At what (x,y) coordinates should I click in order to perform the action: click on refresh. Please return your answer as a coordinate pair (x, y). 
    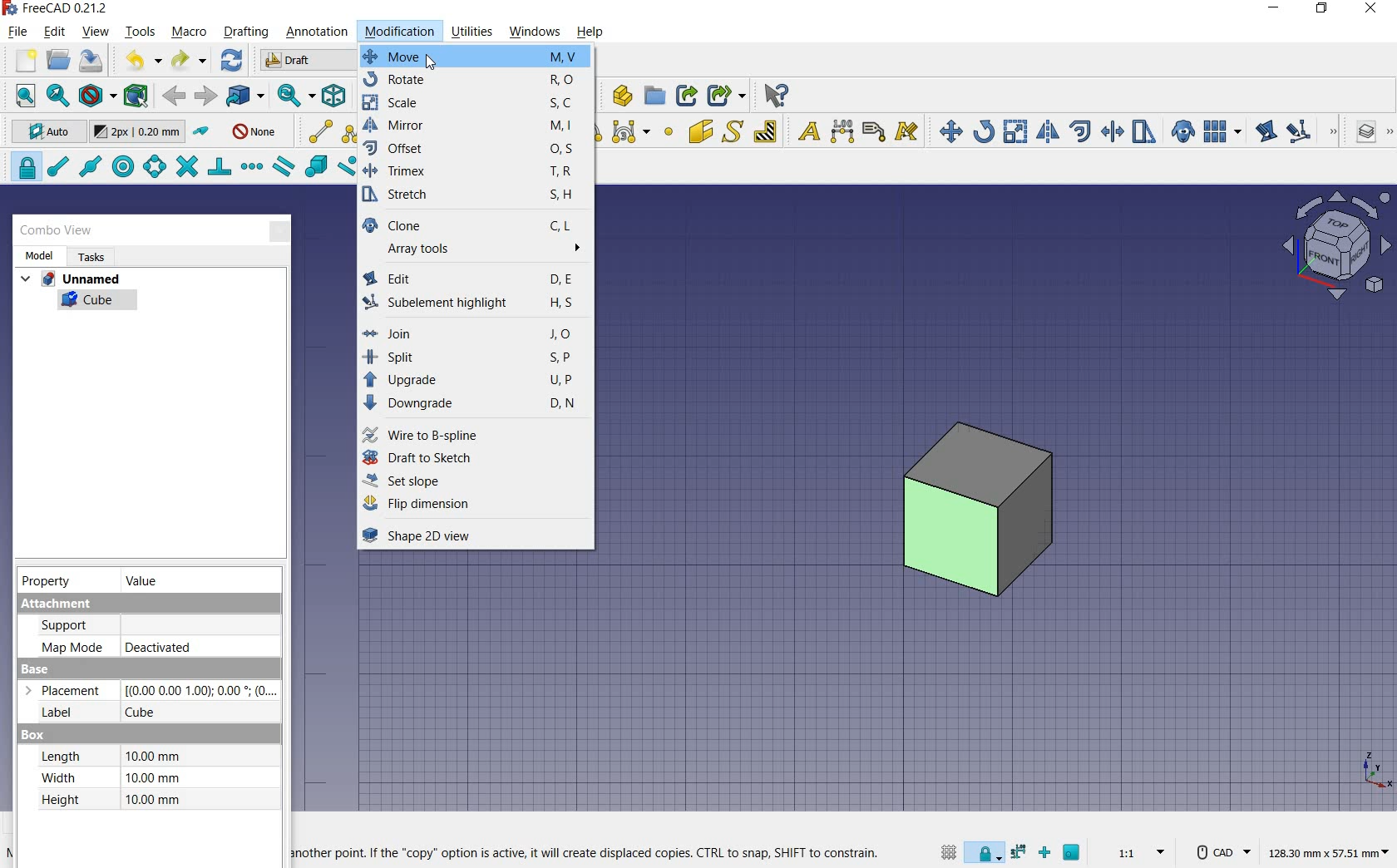
    Looking at the image, I should click on (232, 61).